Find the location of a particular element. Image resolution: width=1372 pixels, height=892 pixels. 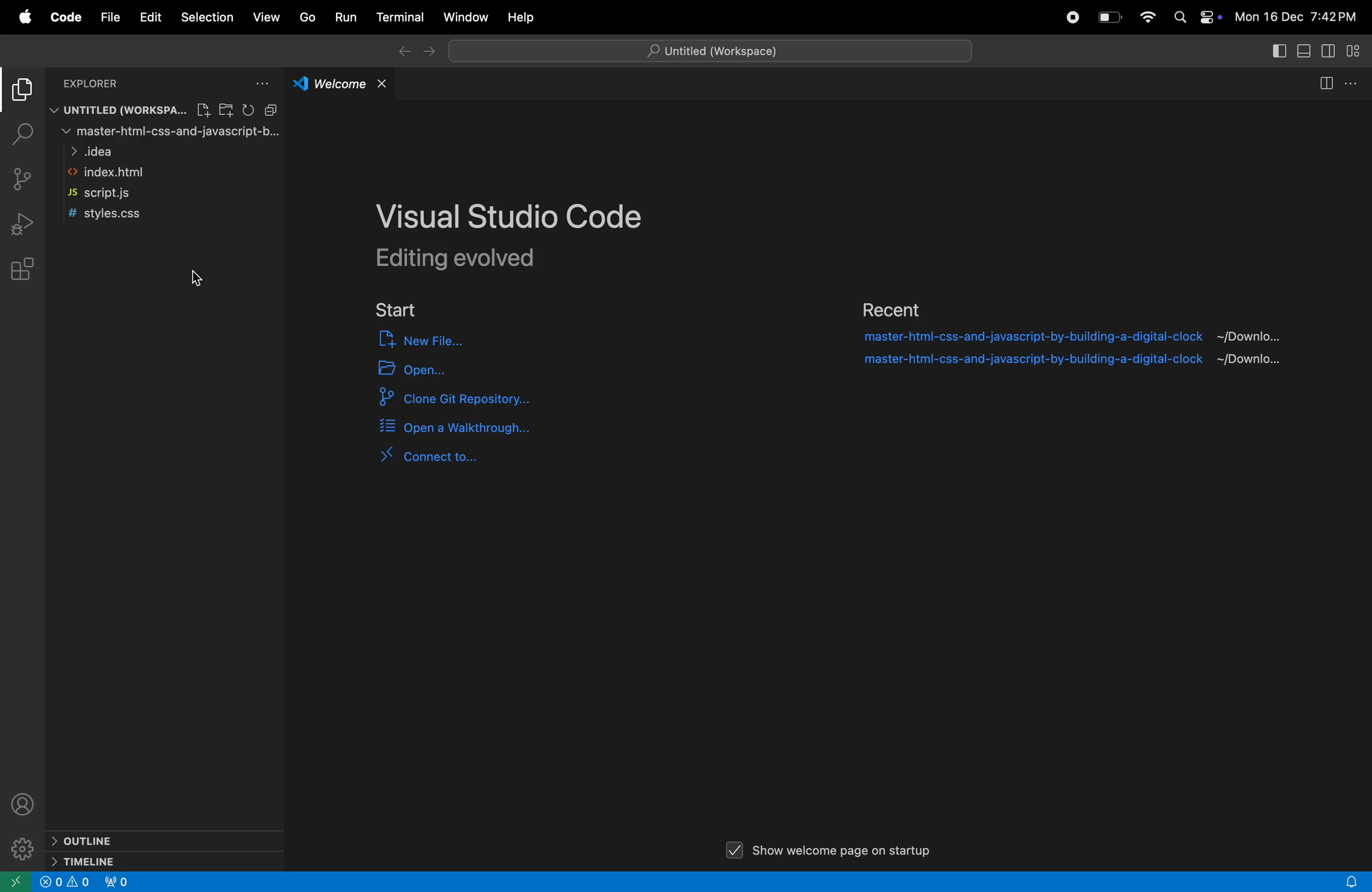

master-html-css-and-javascript-by-building-a-digital-clock is located at coordinates (1030, 337).